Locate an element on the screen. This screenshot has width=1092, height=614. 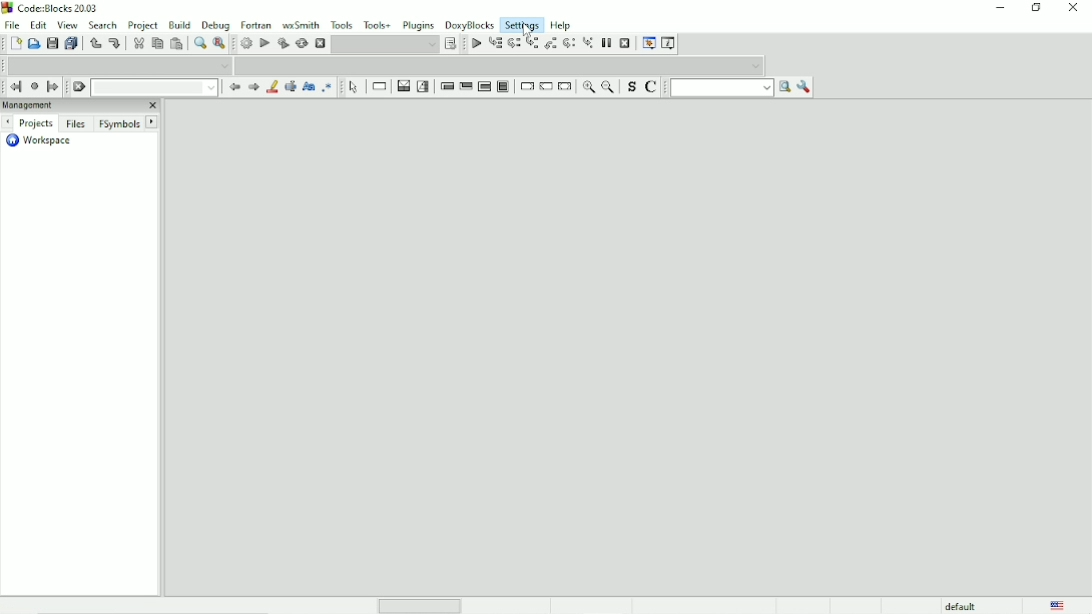
Step into instruction is located at coordinates (587, 43).